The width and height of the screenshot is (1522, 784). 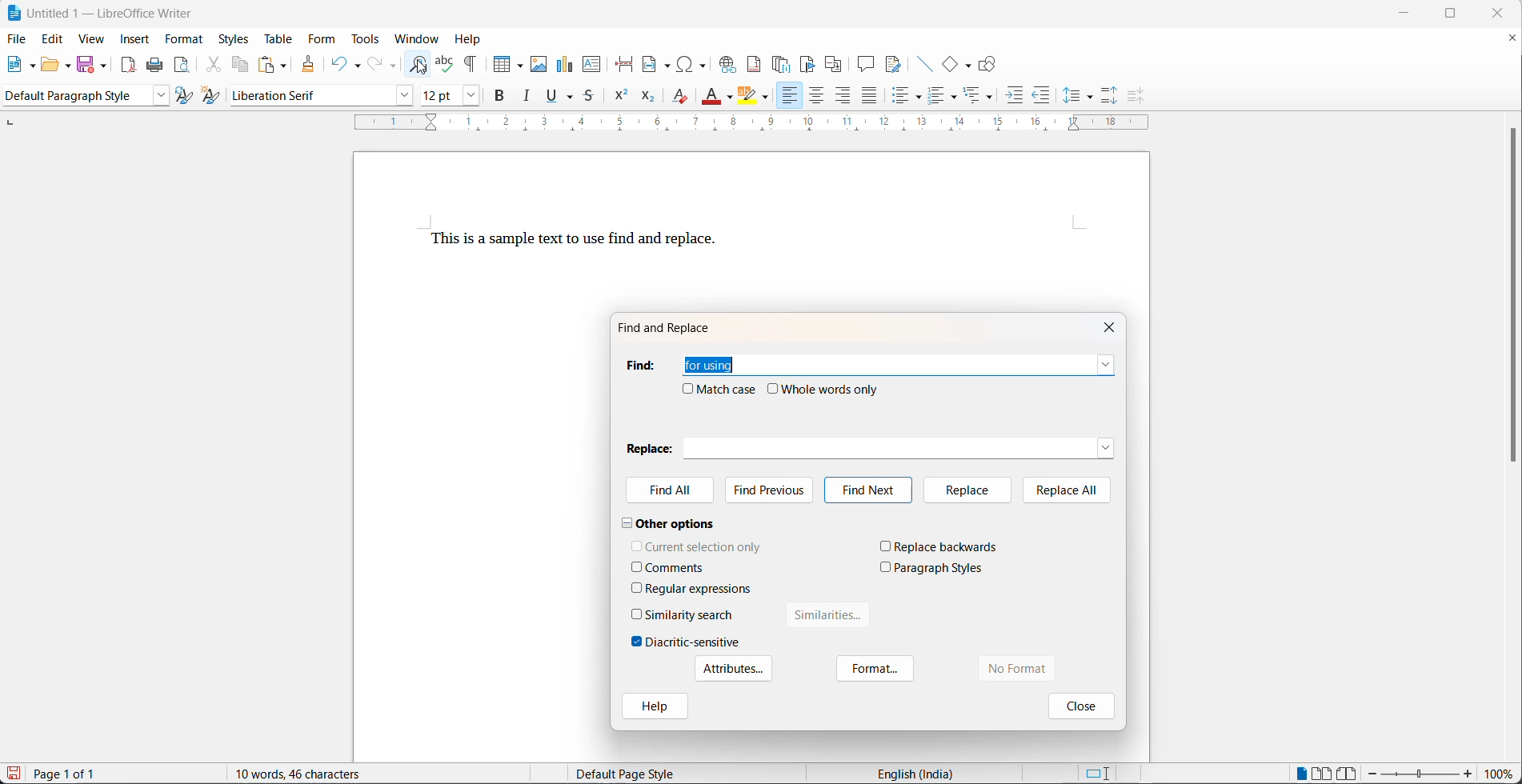 I want to click on insert table, so click(x=508, y=59).